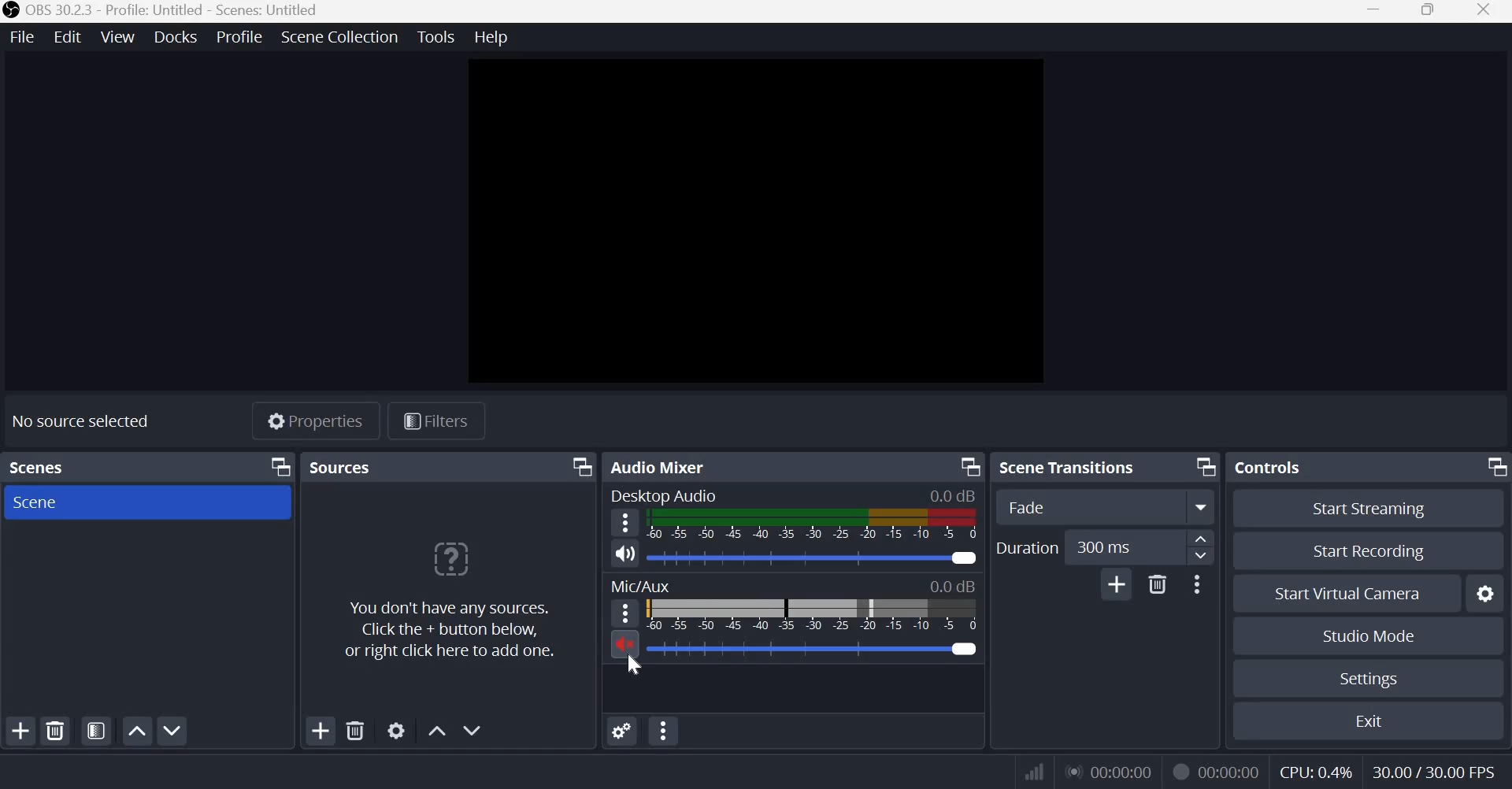  I want to click on Duration, so click(1027, 547).